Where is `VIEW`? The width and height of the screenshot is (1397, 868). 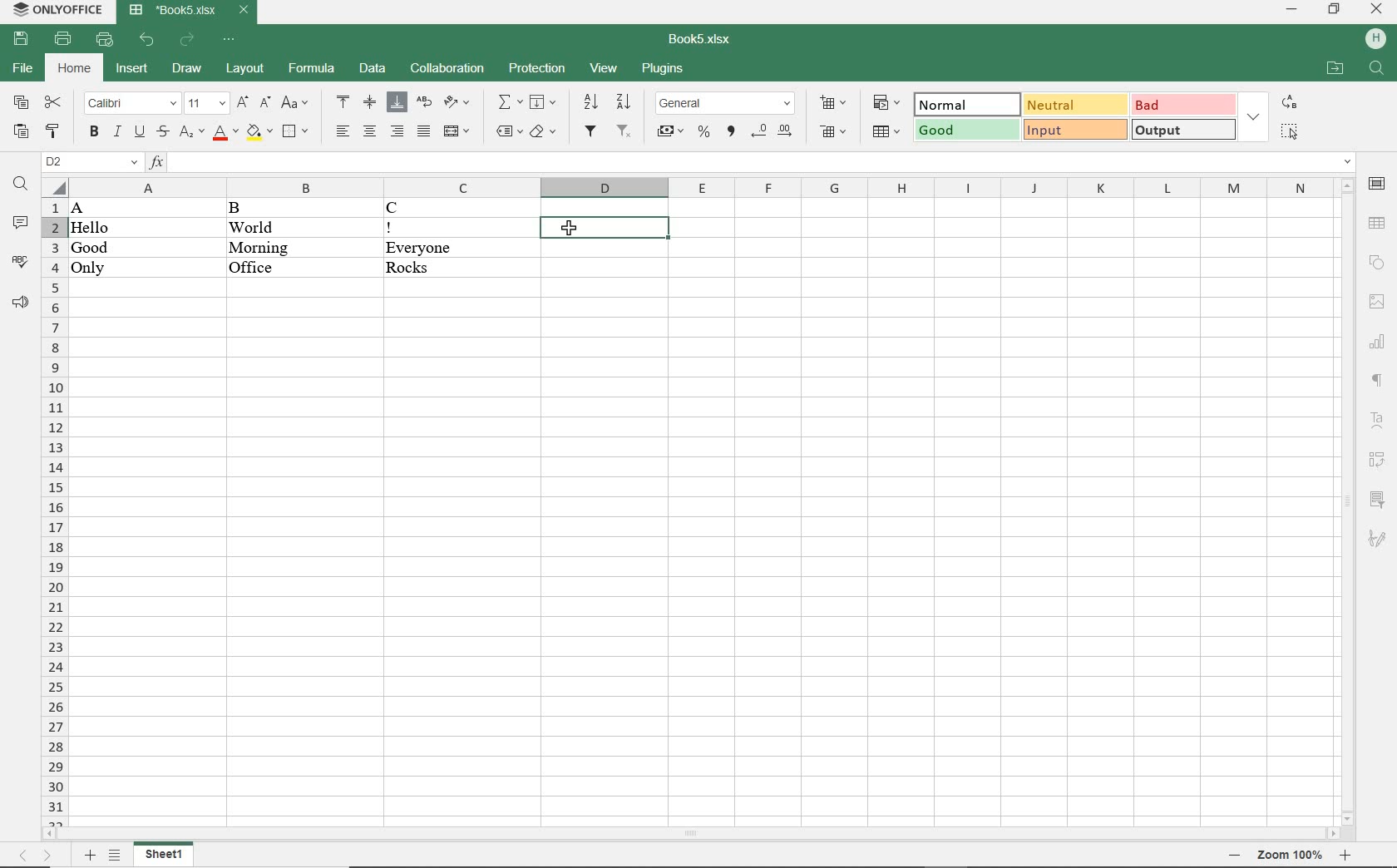
VIEW is located at coordinates (605, 67).